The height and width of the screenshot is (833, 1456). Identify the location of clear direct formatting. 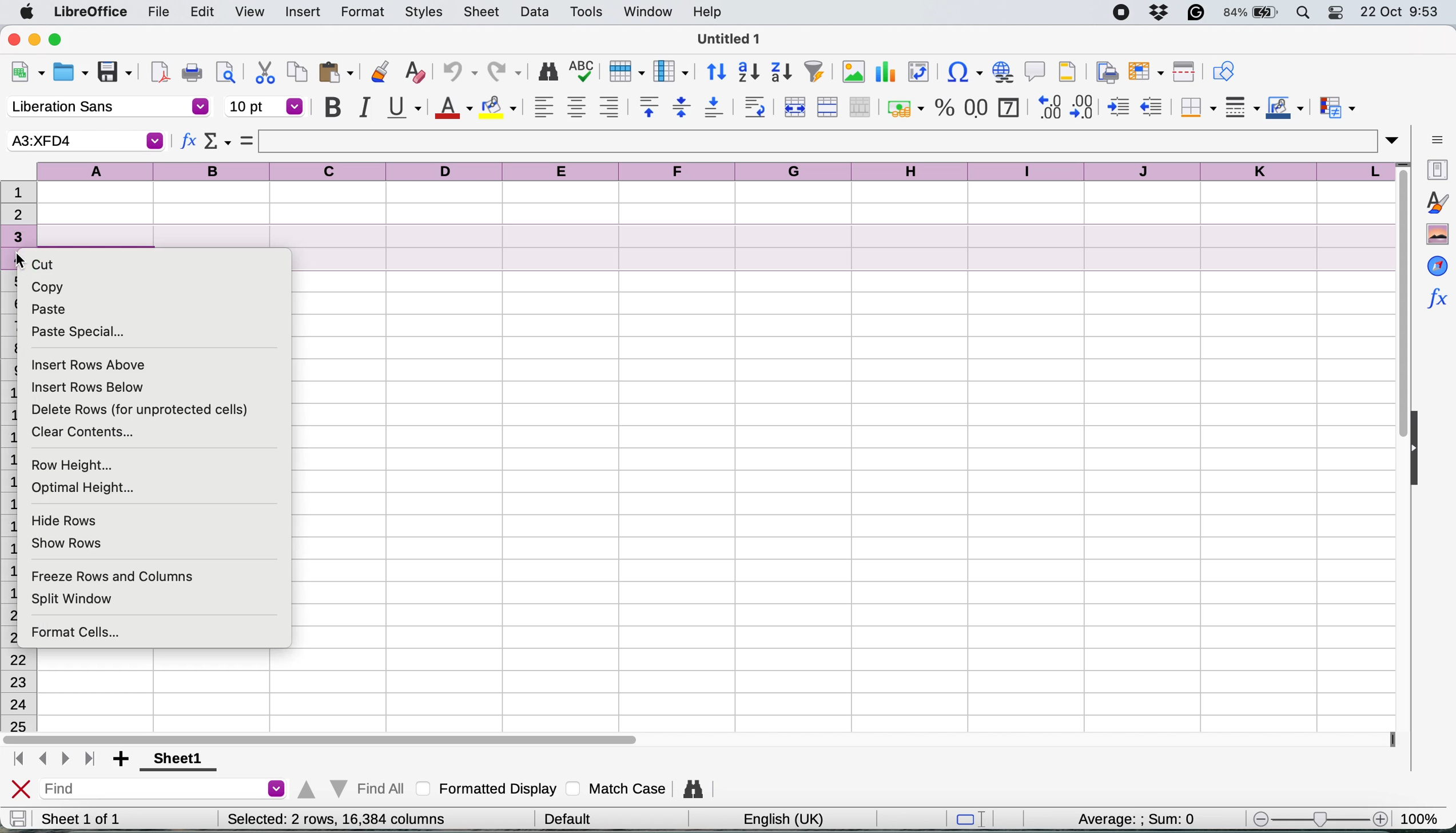
(415, 73).